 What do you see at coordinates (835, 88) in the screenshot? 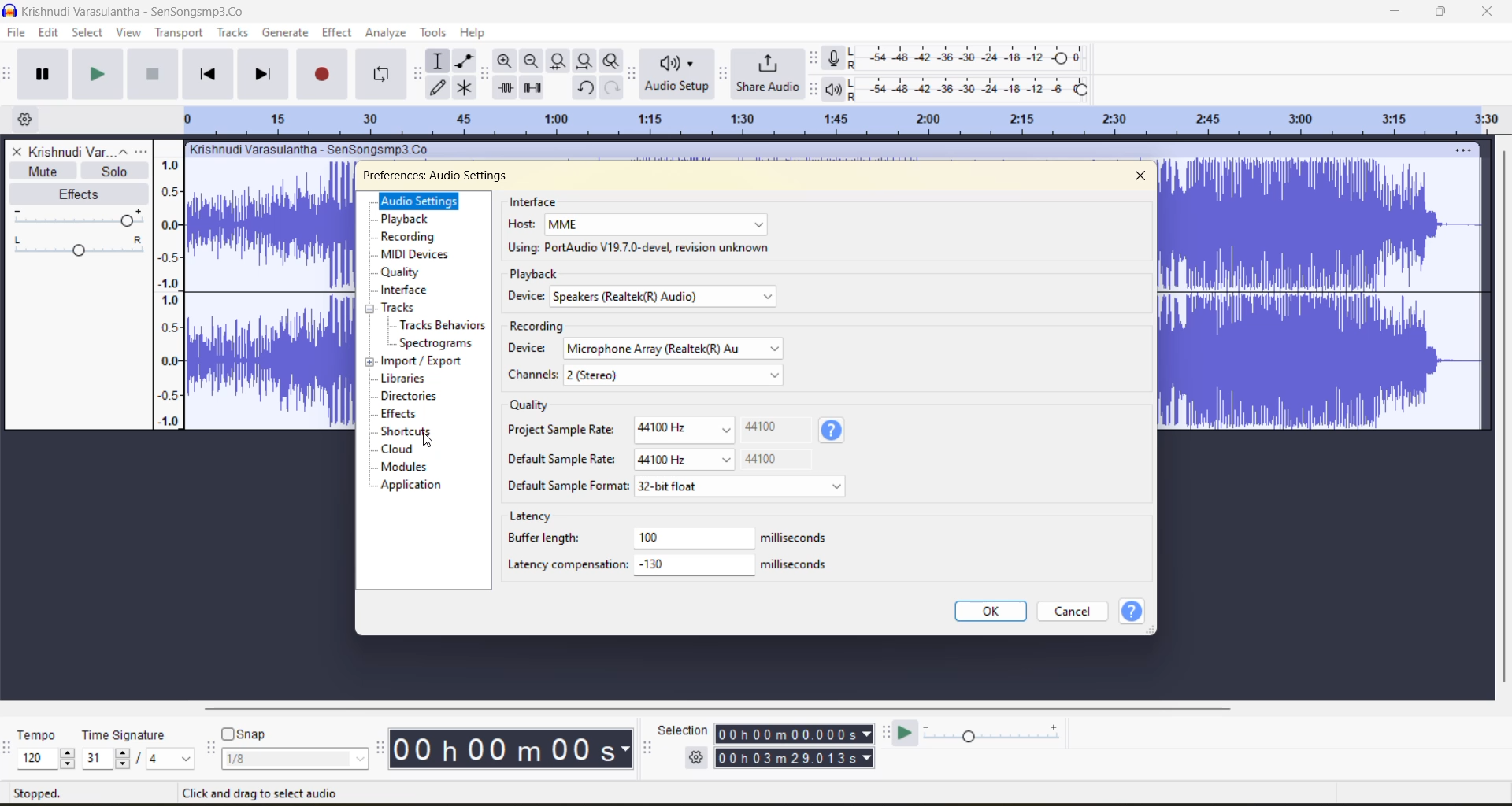
I see `playback meter` at bounding box center [835, 88].